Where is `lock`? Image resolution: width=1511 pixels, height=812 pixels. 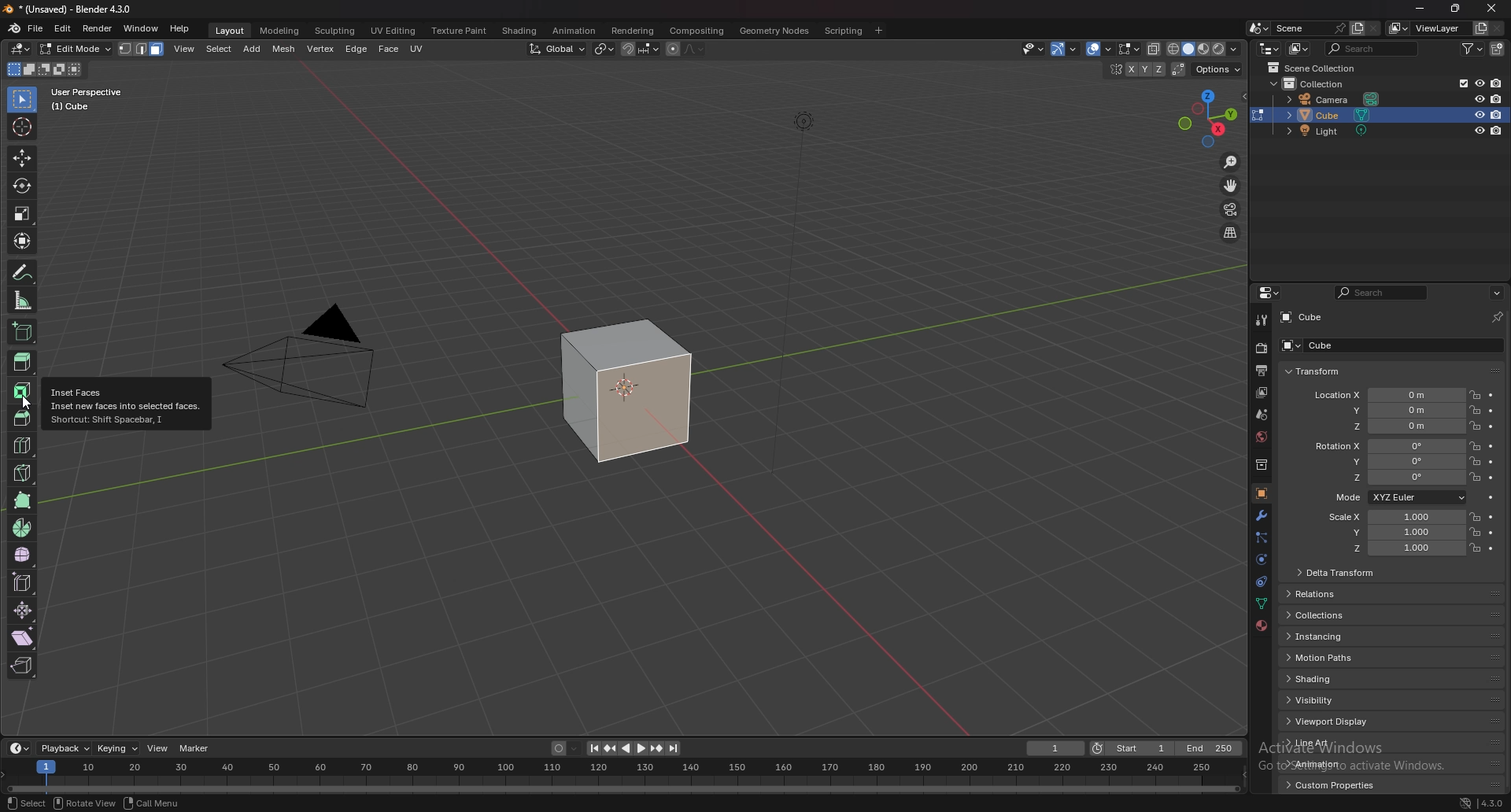 lock is located at coordinates (1475, 394).